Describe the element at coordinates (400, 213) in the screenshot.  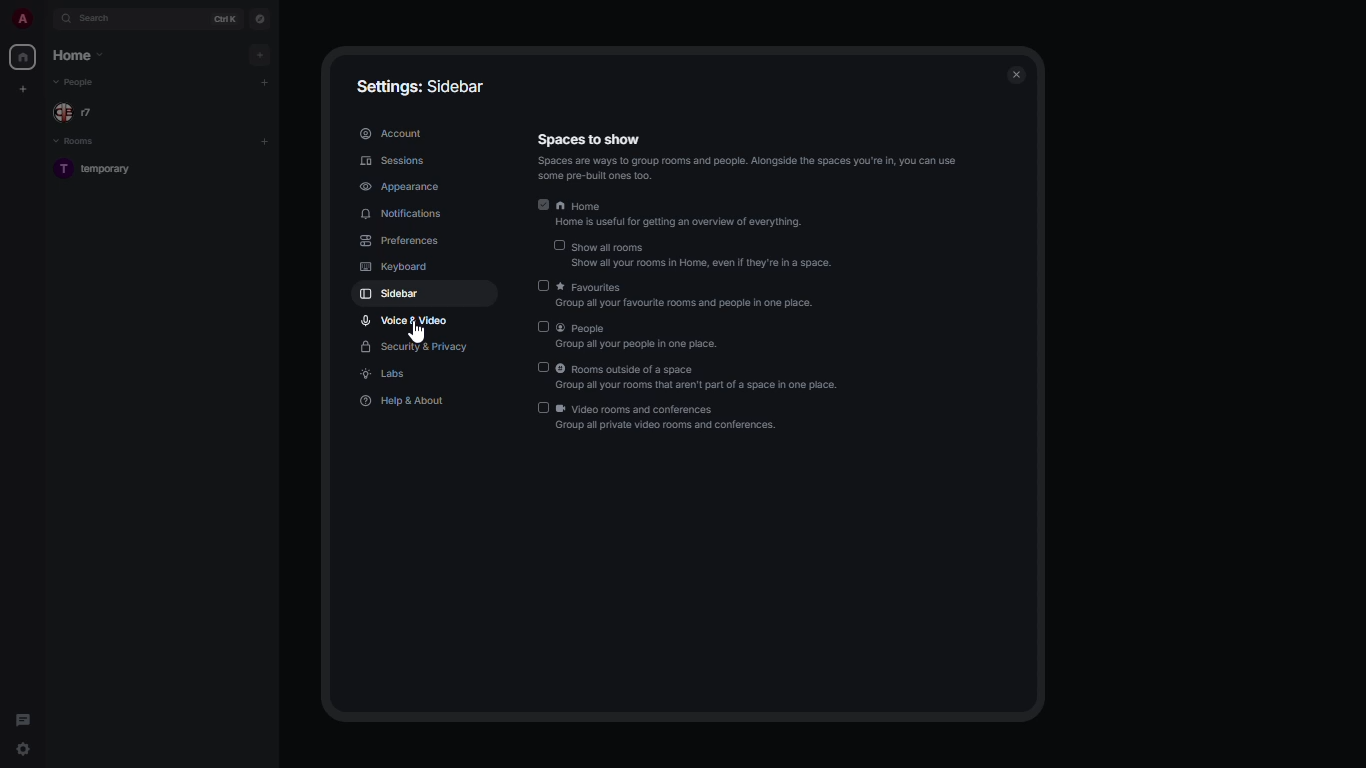
I see `notifications` at that location.